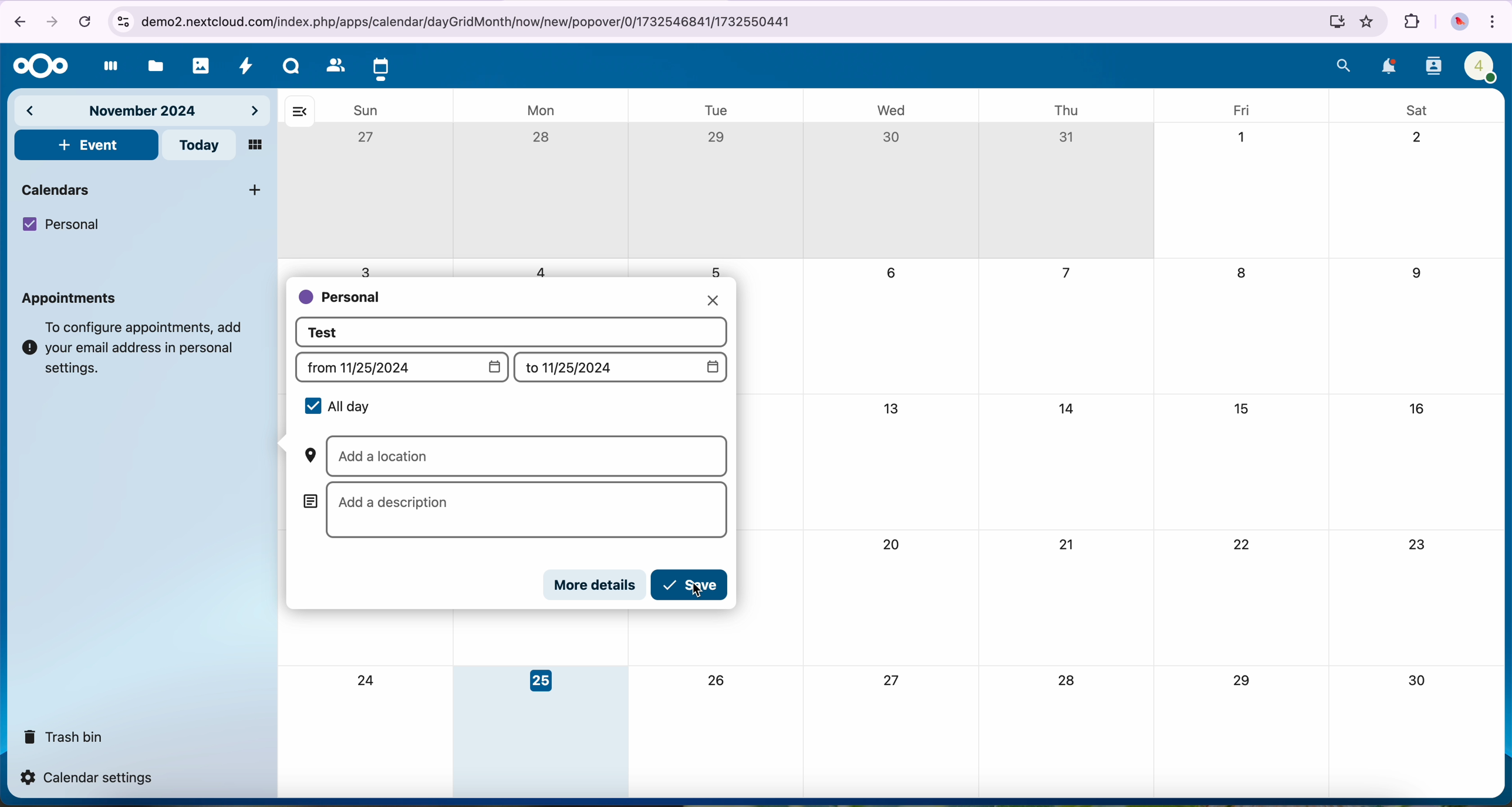 The width and height of the screenshot is (1512, 807). Describe the element at coordinates (889, 544) in the screenshot. I see `20` at that location.